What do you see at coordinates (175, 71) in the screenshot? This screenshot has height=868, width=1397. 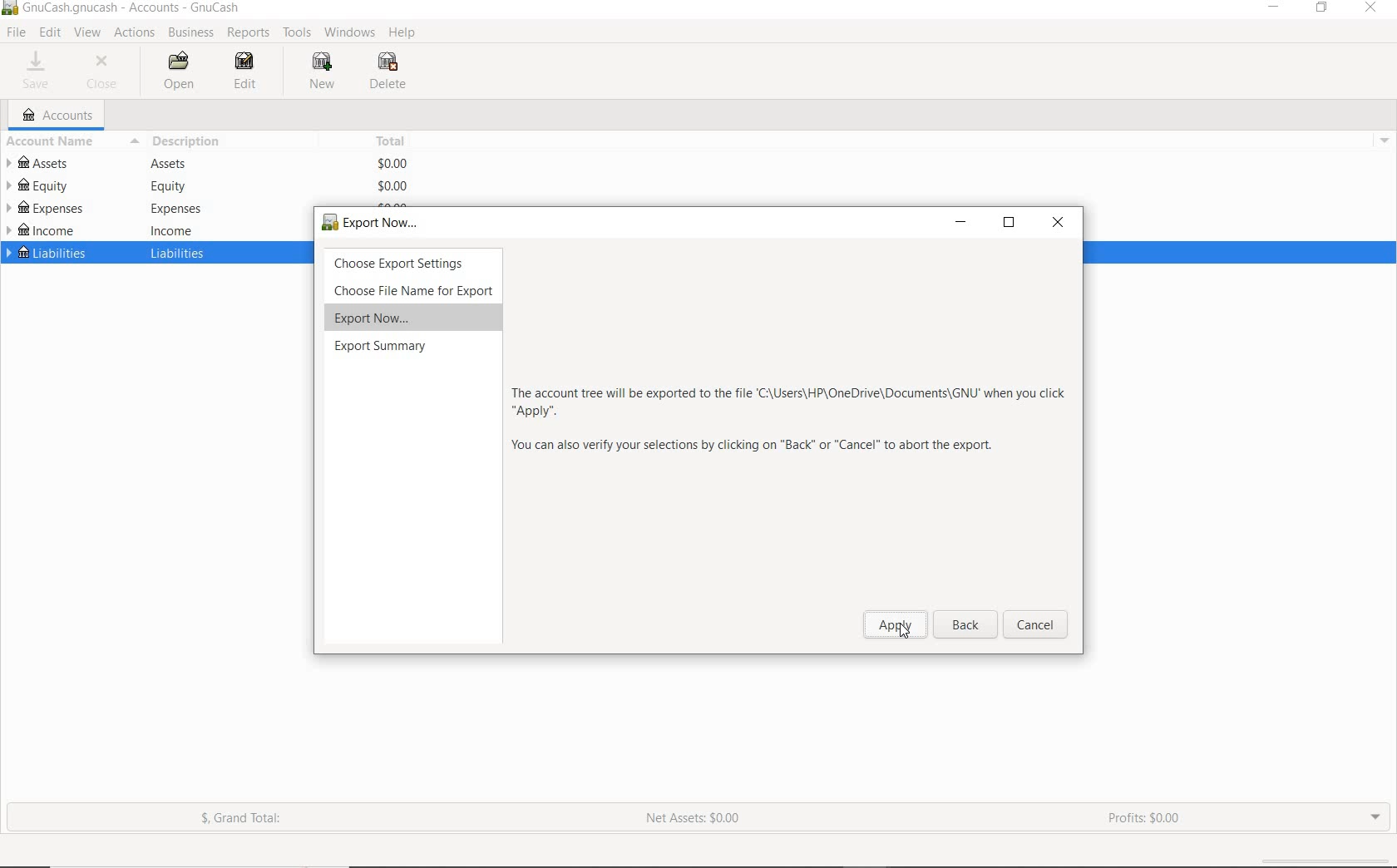 I see `OPEN` at bounding box center [175, 71].